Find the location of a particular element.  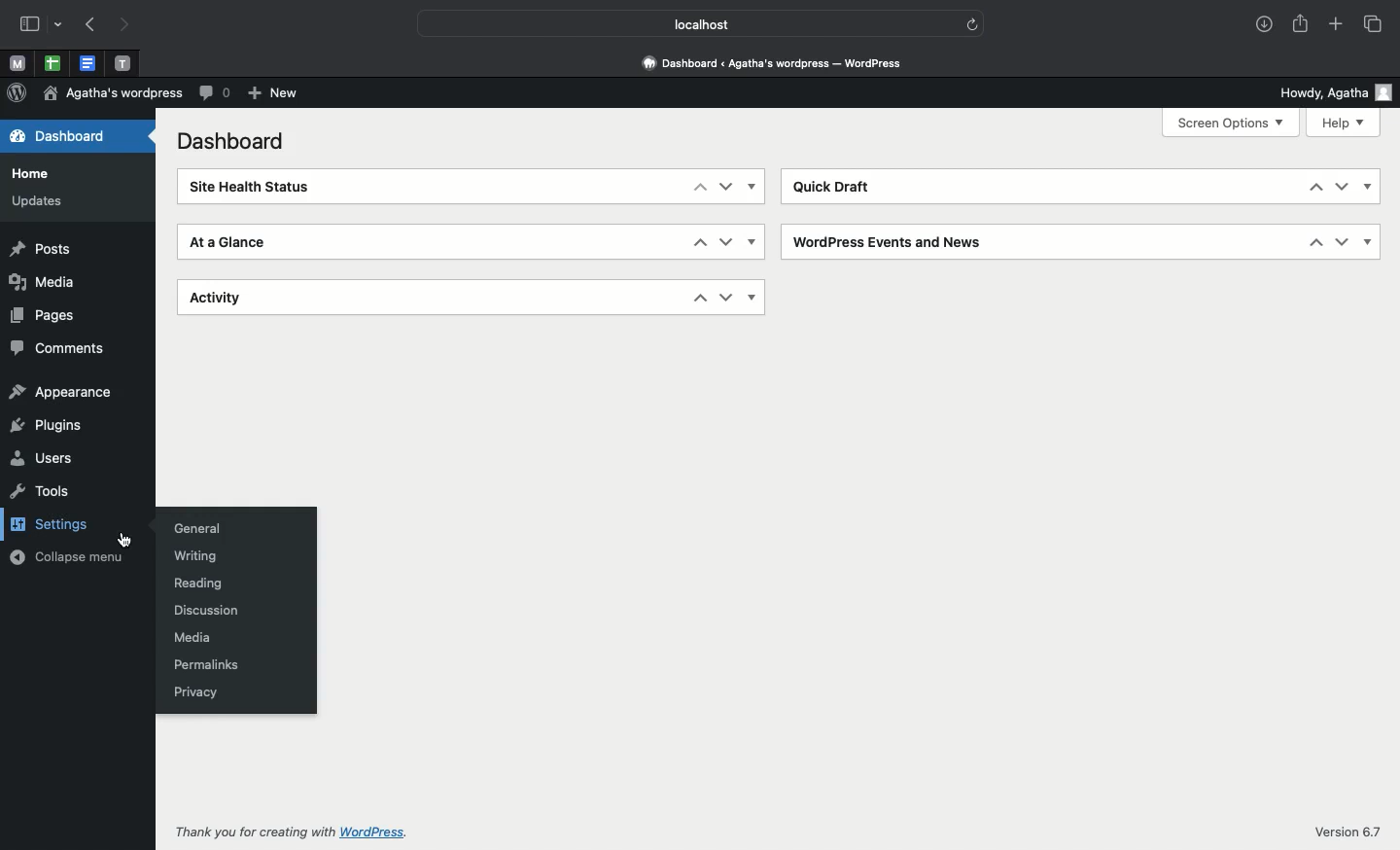

Dashboard is located at coordinates (234, 141).